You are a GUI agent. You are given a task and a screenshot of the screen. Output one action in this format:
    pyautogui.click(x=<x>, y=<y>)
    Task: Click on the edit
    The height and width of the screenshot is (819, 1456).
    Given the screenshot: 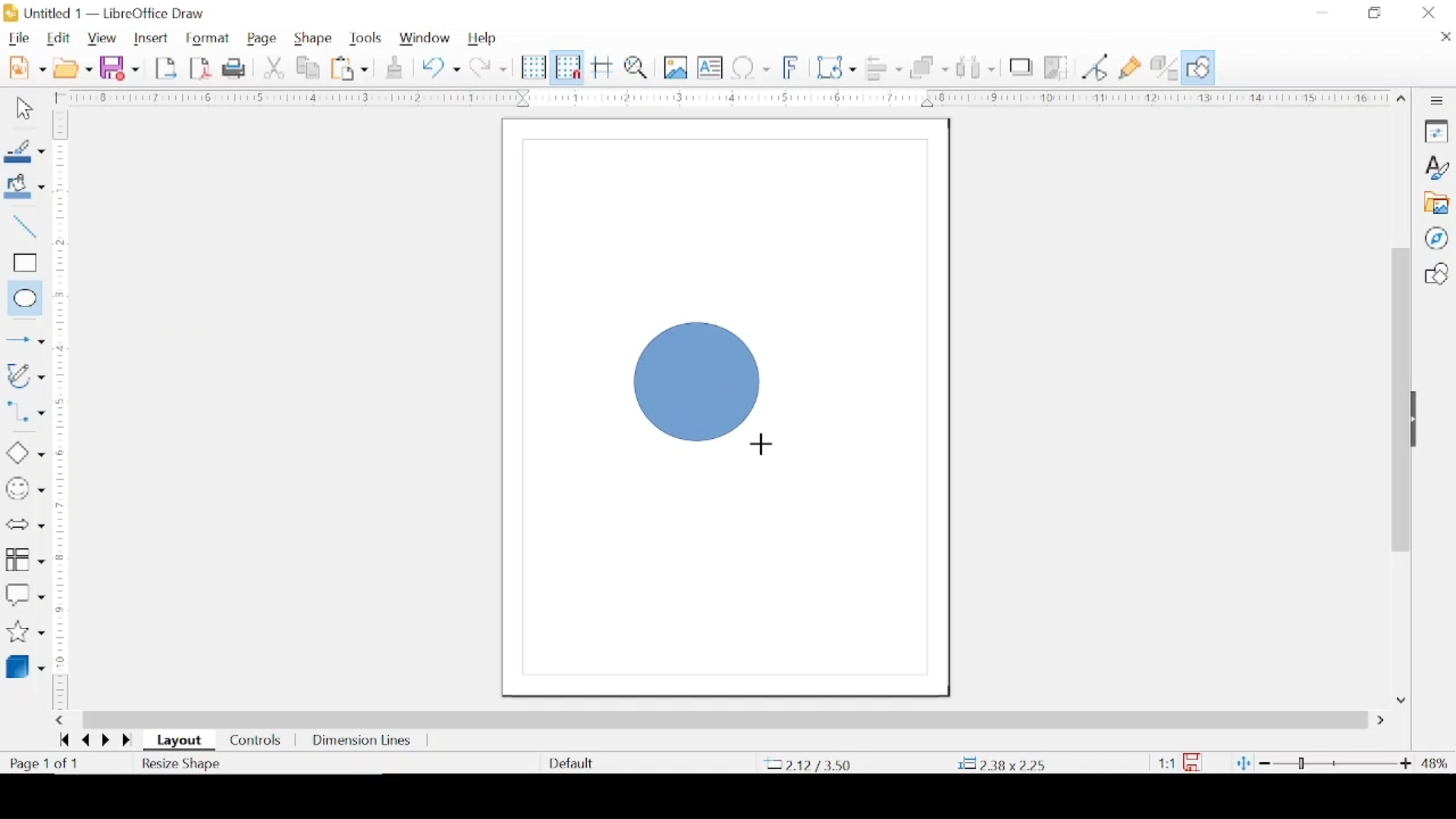 What is the action you would take?
    pyautogui.click(x=61, y=38)
    